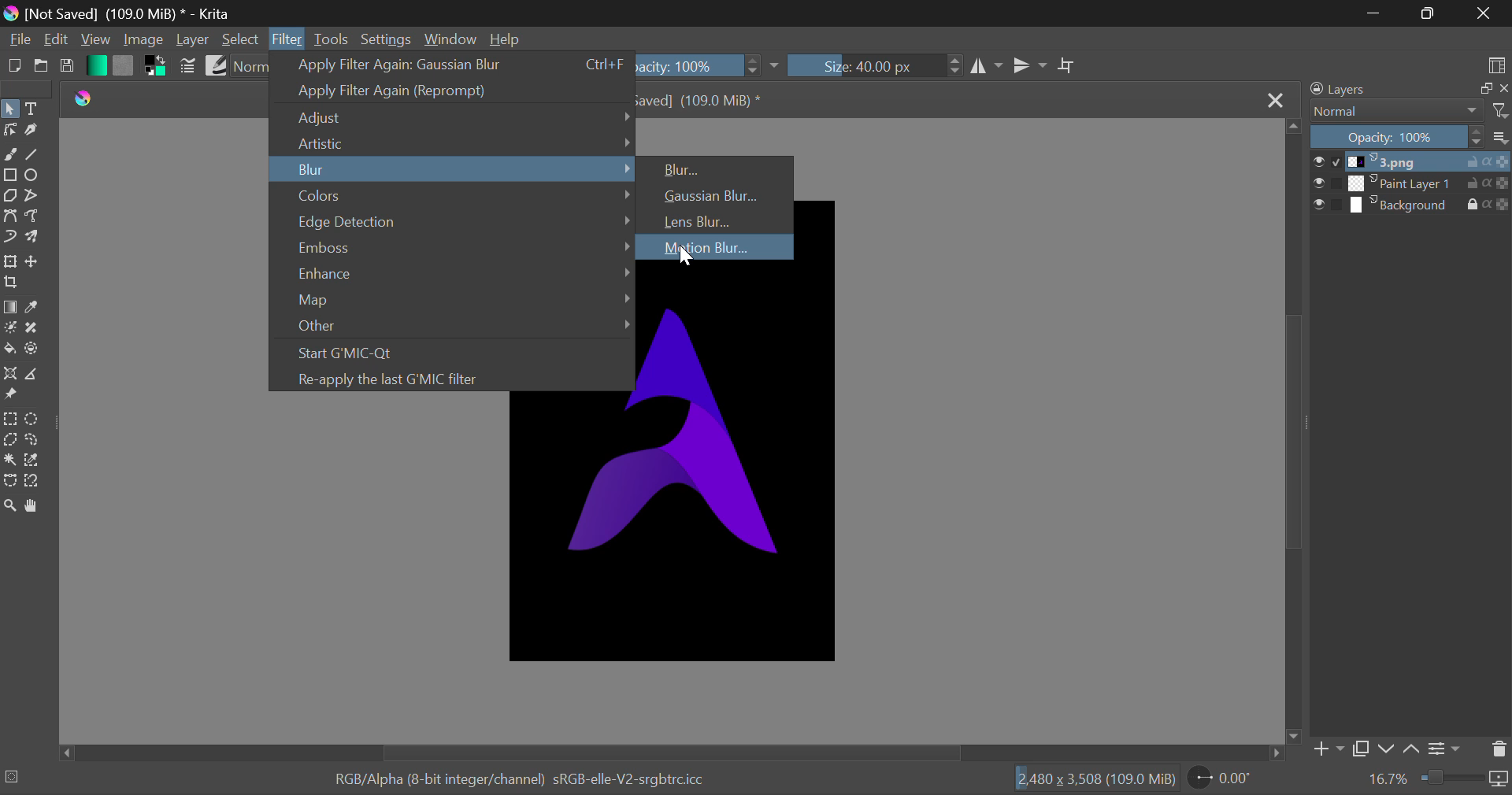 This screenshot has height=795, width=1512. I want to click on Background, so click(1411, 205).